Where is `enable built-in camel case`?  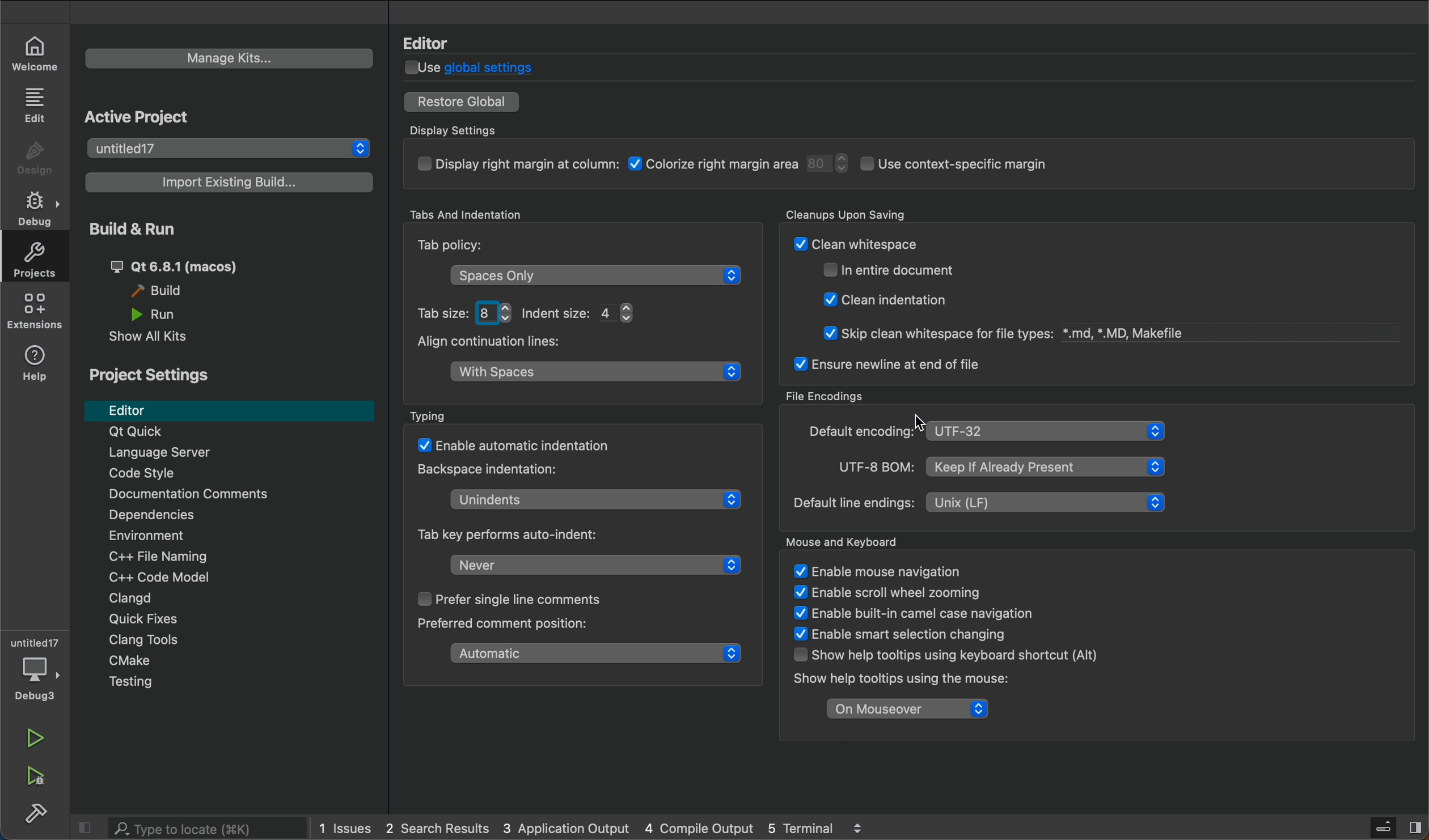
enable built-in camel case is located at coordinates (906, 612).